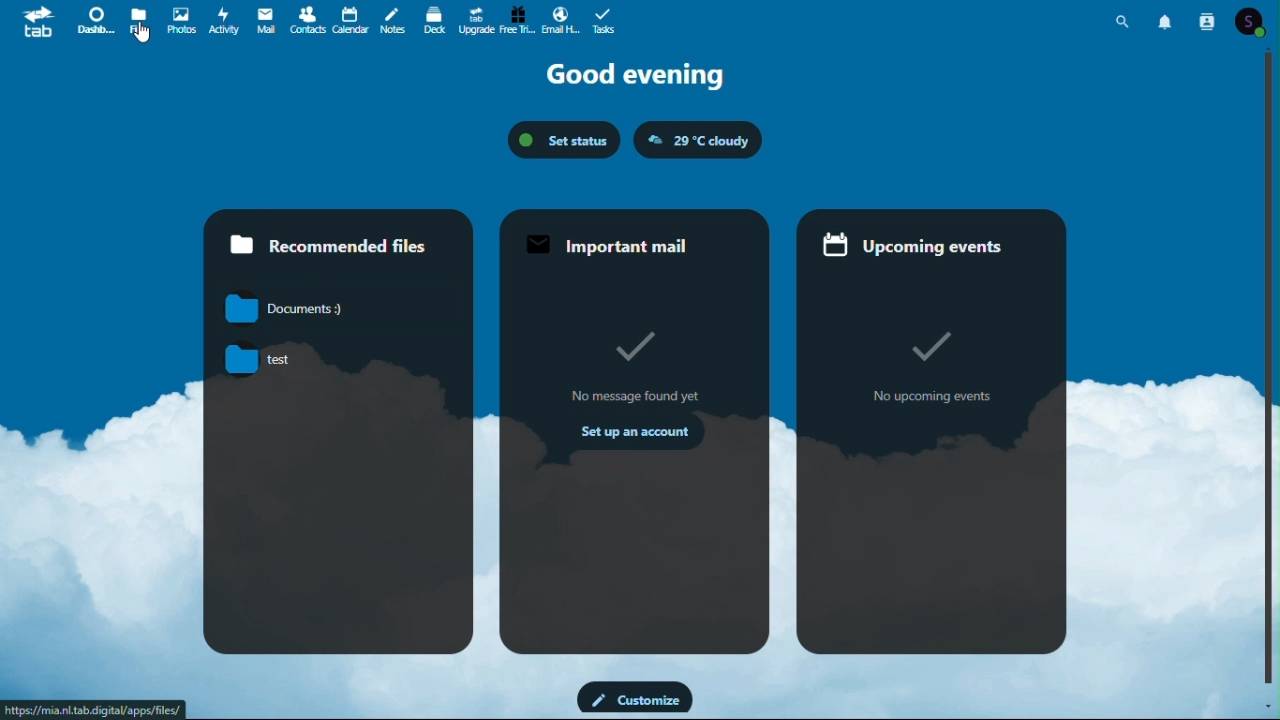  Describe the element at coordinates (637, 395) in the screenshot. I see `No message found yet` at that location.